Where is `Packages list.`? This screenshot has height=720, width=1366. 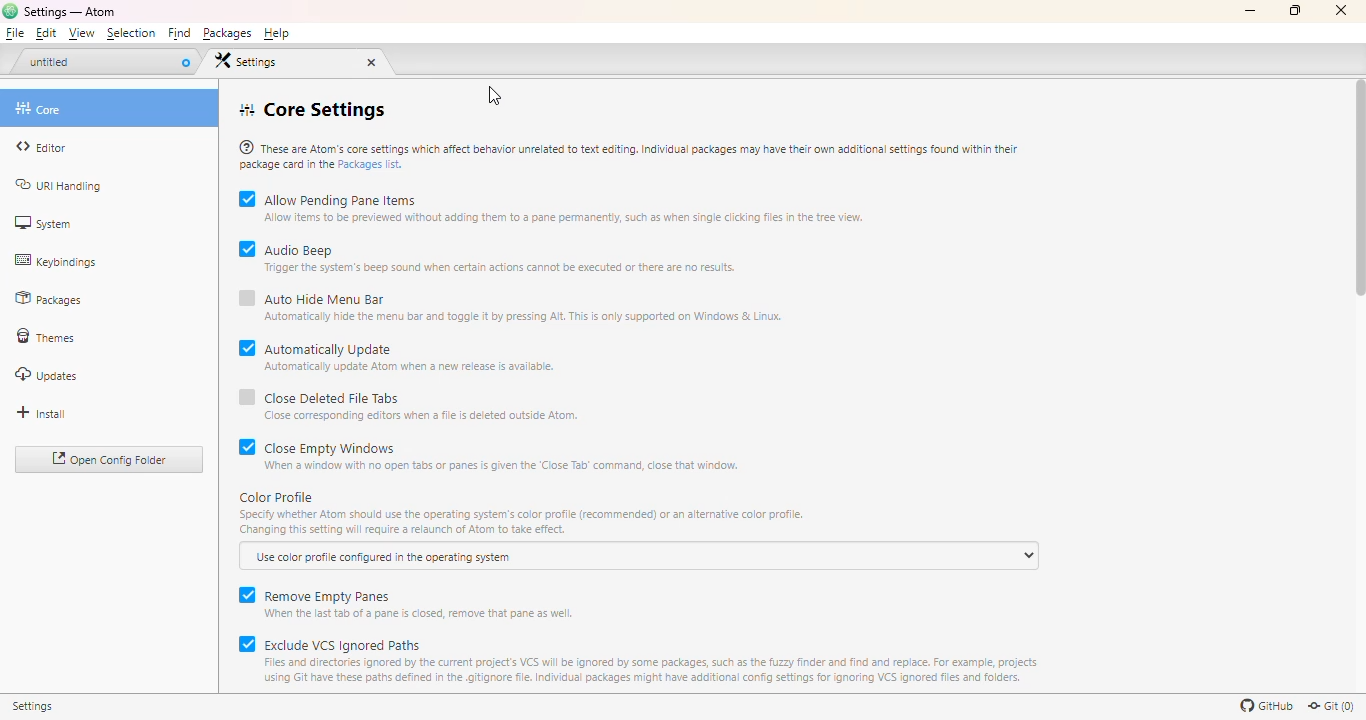
Packages list. is located at coordinates (374, 167).